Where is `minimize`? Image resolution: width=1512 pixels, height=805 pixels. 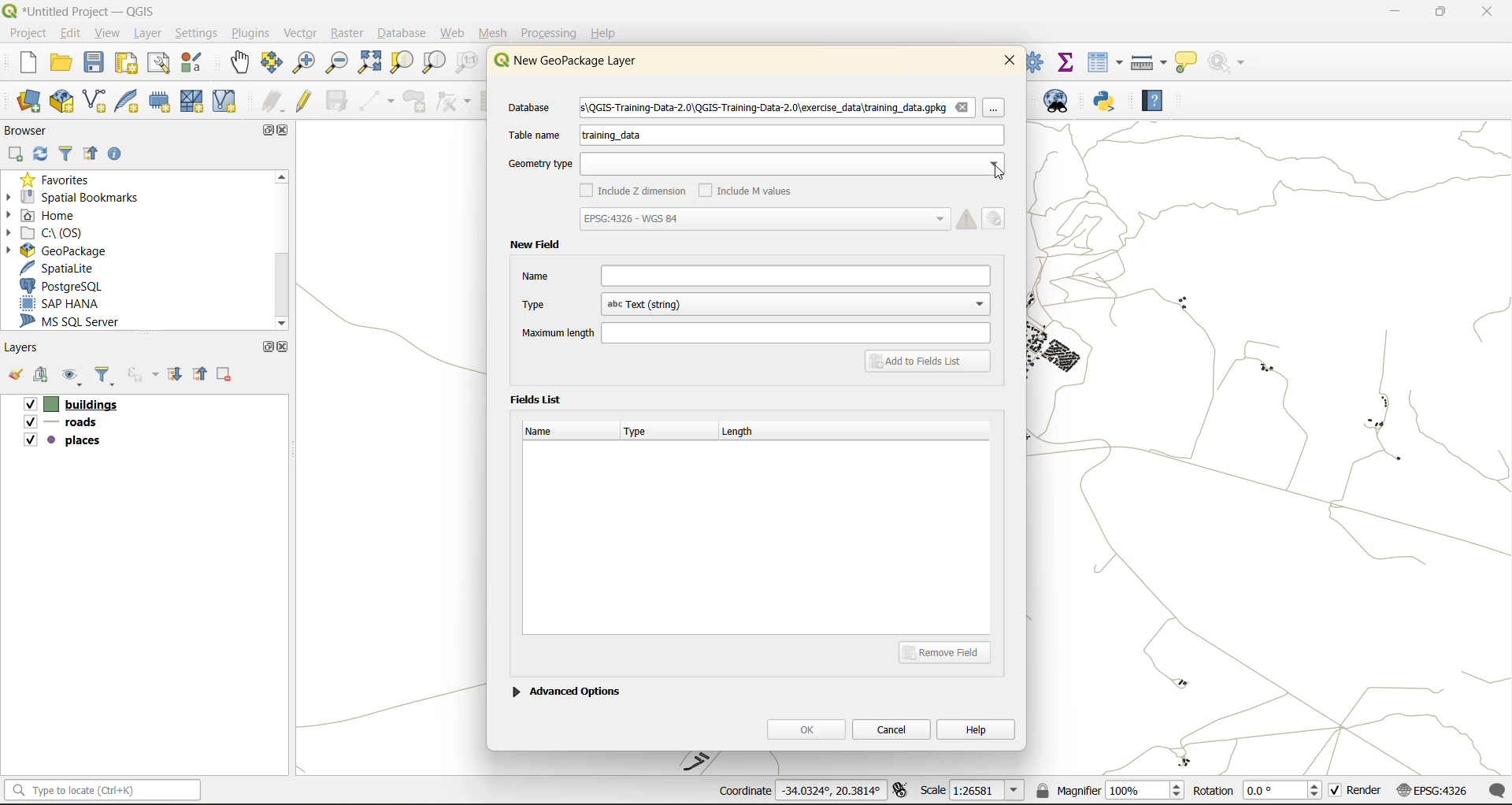 minimize is located at coordinates (1390, 14).